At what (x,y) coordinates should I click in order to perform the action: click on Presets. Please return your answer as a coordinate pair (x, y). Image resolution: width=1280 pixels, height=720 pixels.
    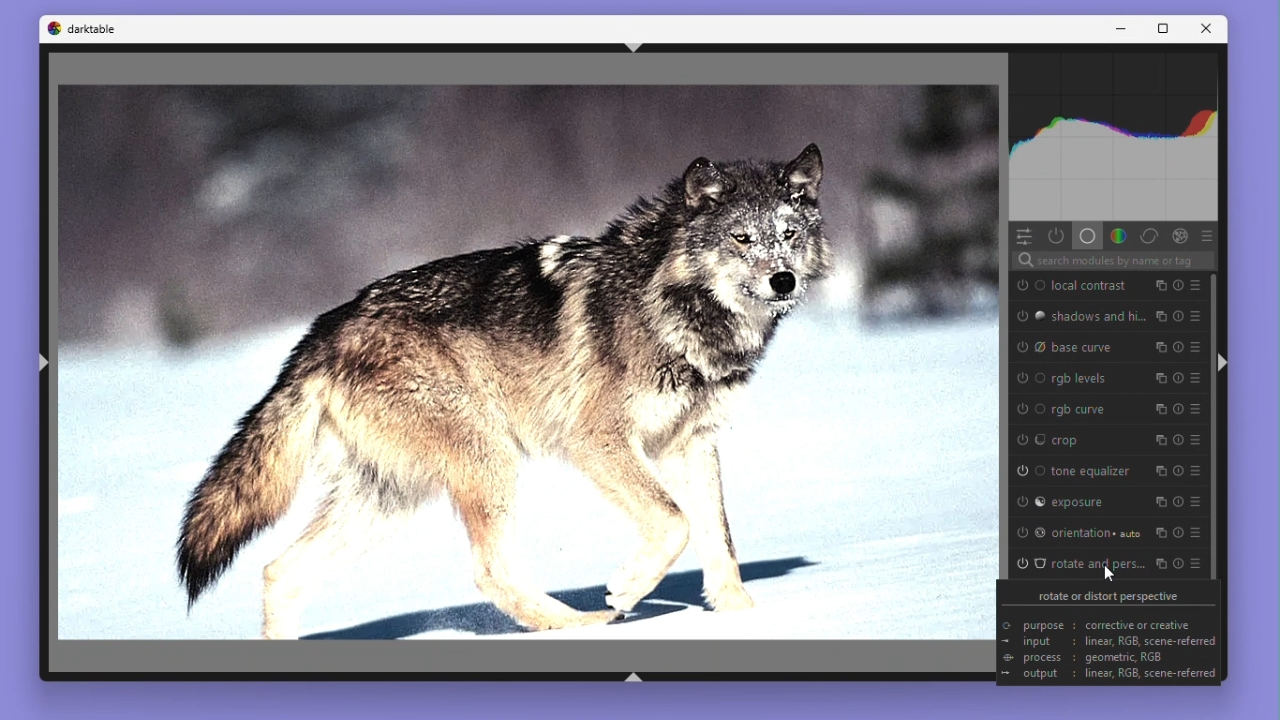
    Looking at the image, I should click on (1212, 235).